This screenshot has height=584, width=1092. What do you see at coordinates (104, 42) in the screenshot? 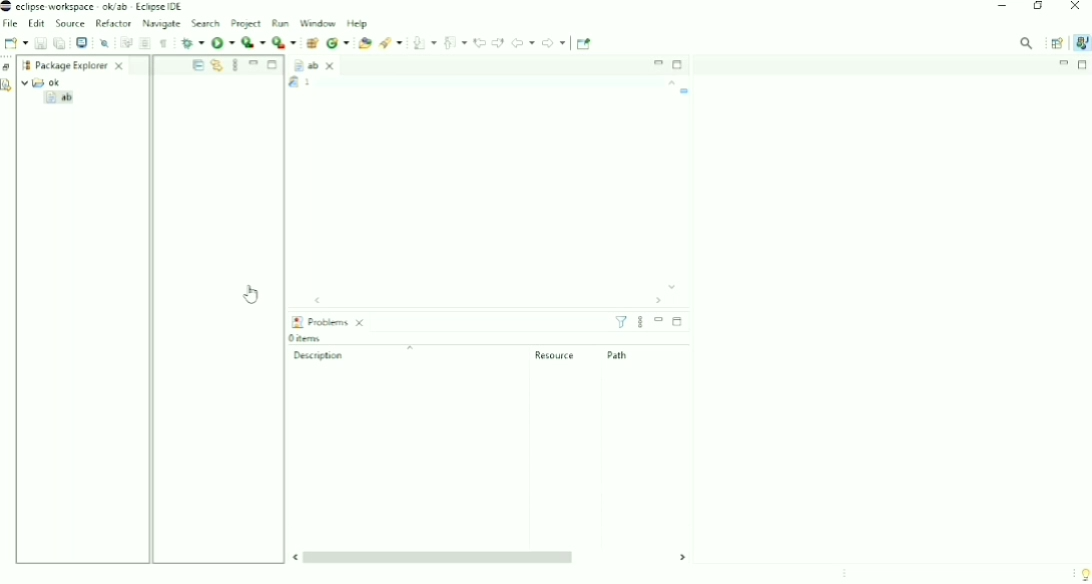
I see `Skip All Breakpoints` at bounding box center [104, 42].